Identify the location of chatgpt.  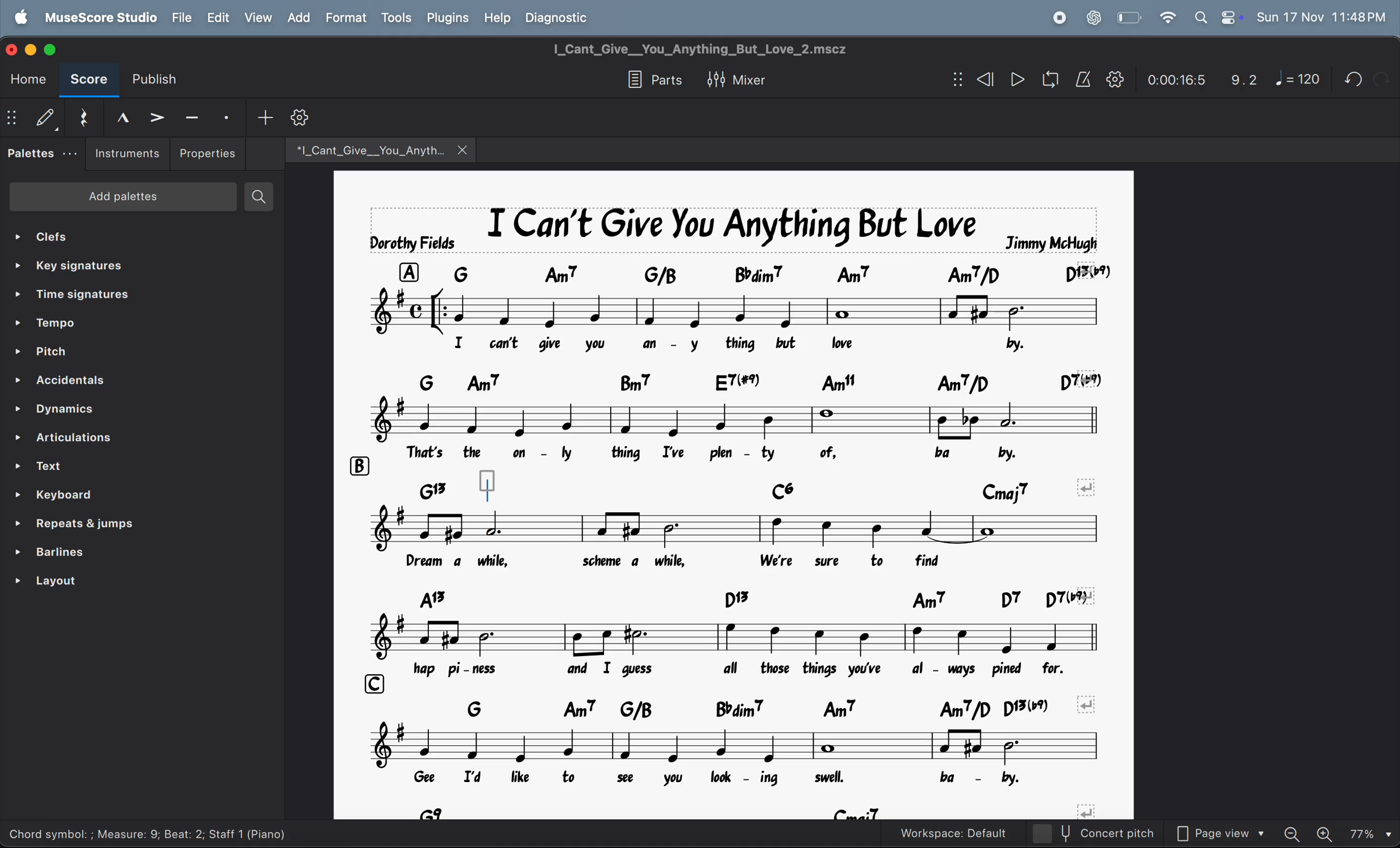
(1094, 18).